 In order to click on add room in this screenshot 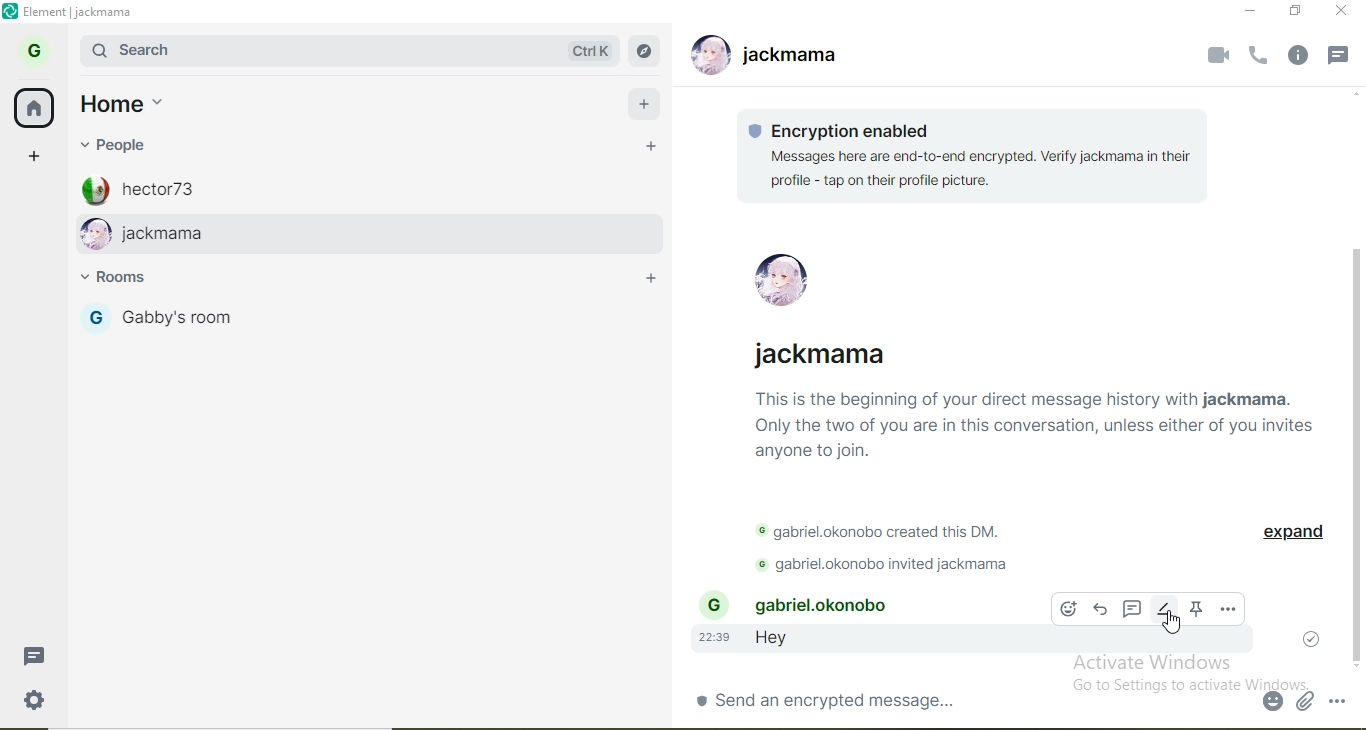, I will do `click(649, 275)`.